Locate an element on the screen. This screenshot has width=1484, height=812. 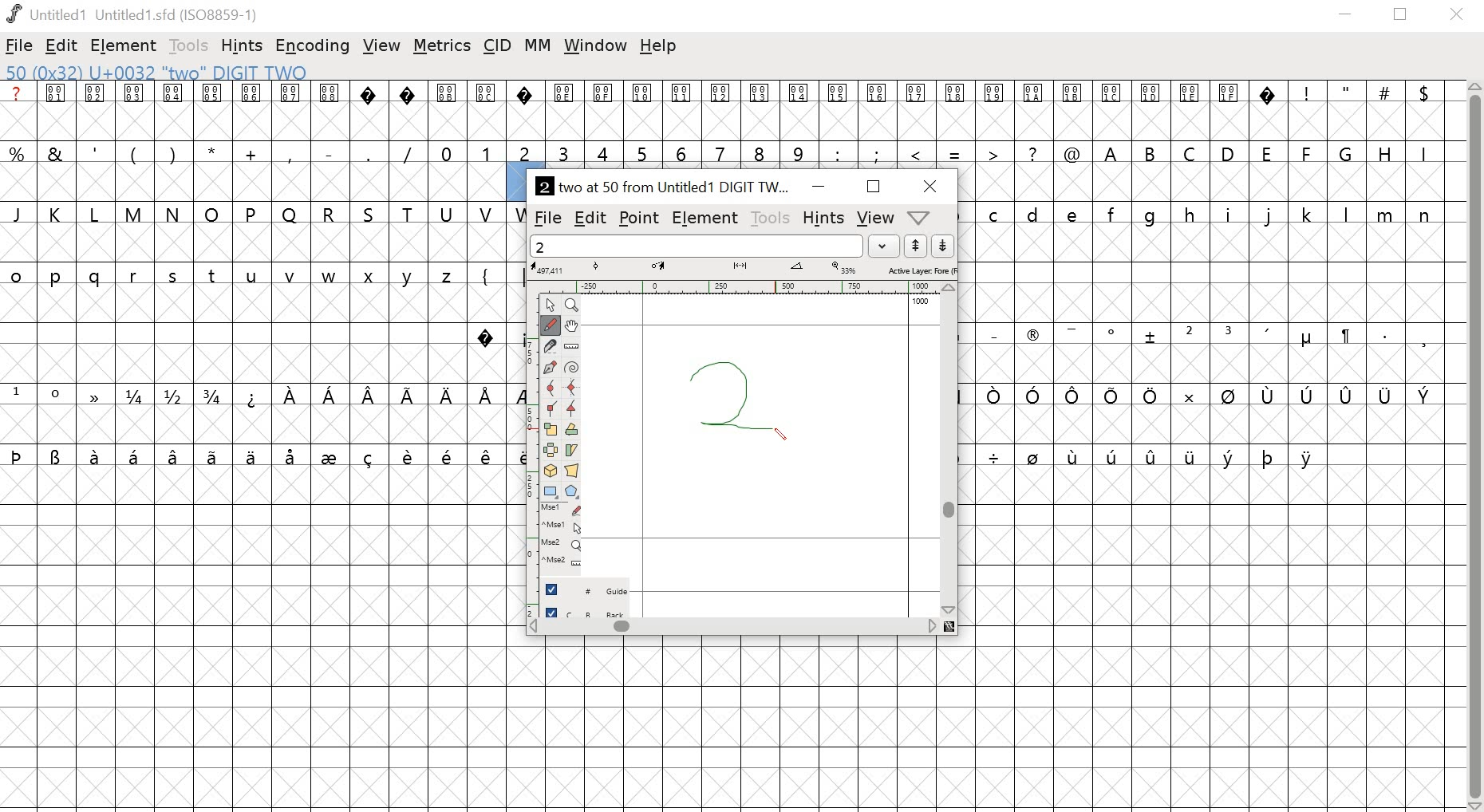
edit is located at coordinates (590, 219).